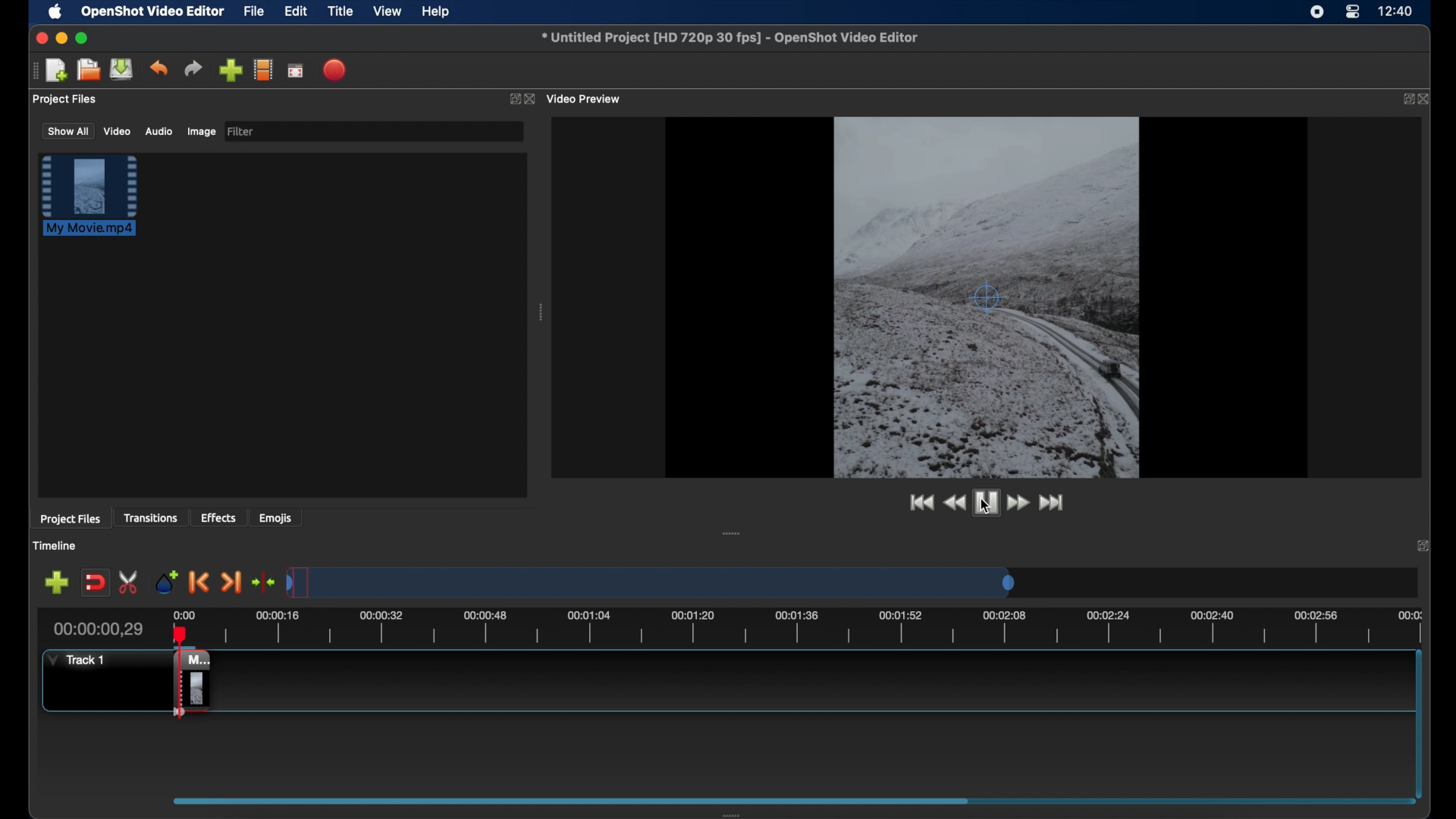 The width and height of the screenshot is (1456, 819). Describe the element at coordinates (262, 582) in the screenshot. I see `center playhead on the timeline` at that location.